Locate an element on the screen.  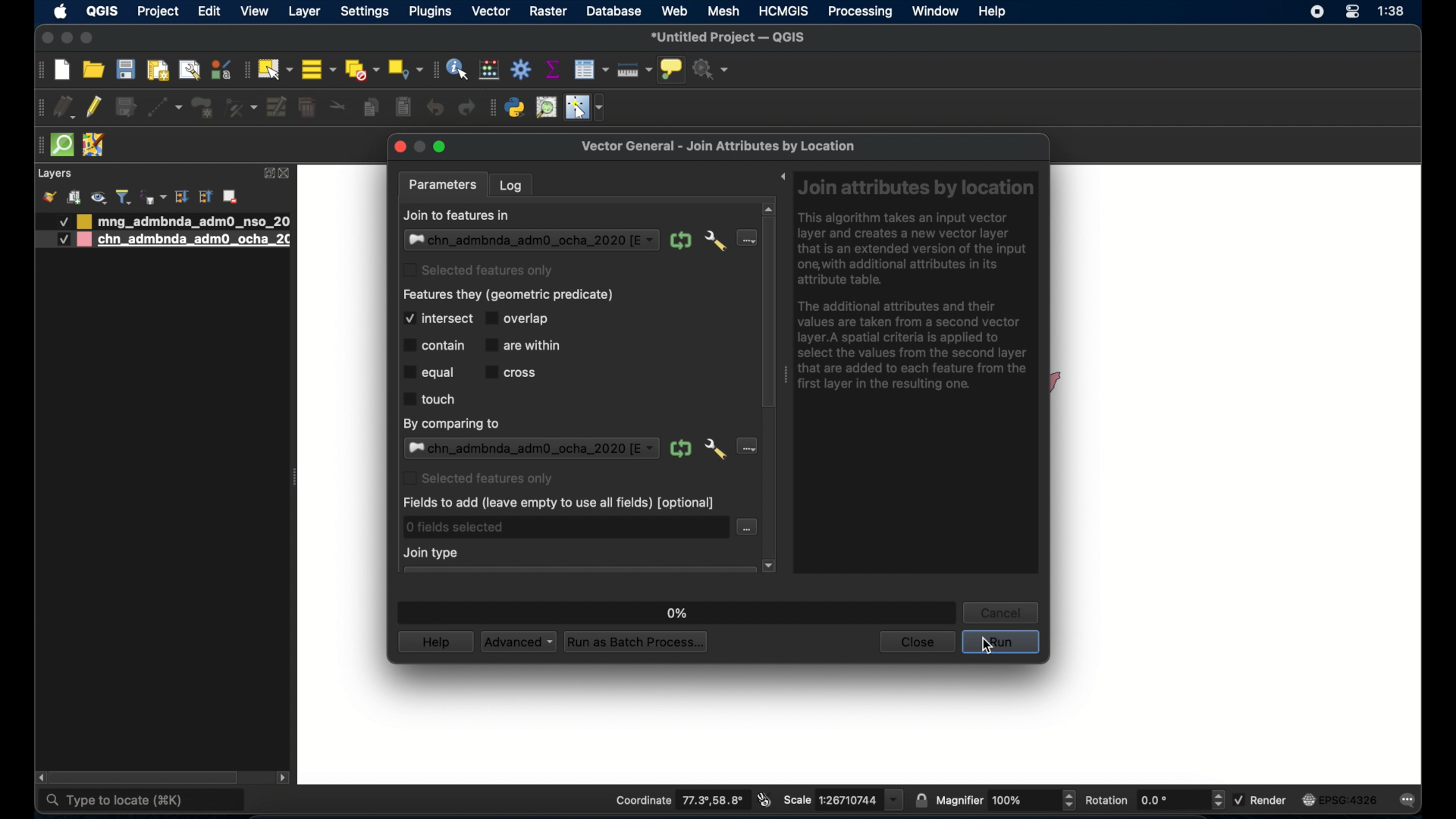
coordinate is located at coordinates (680, 801).